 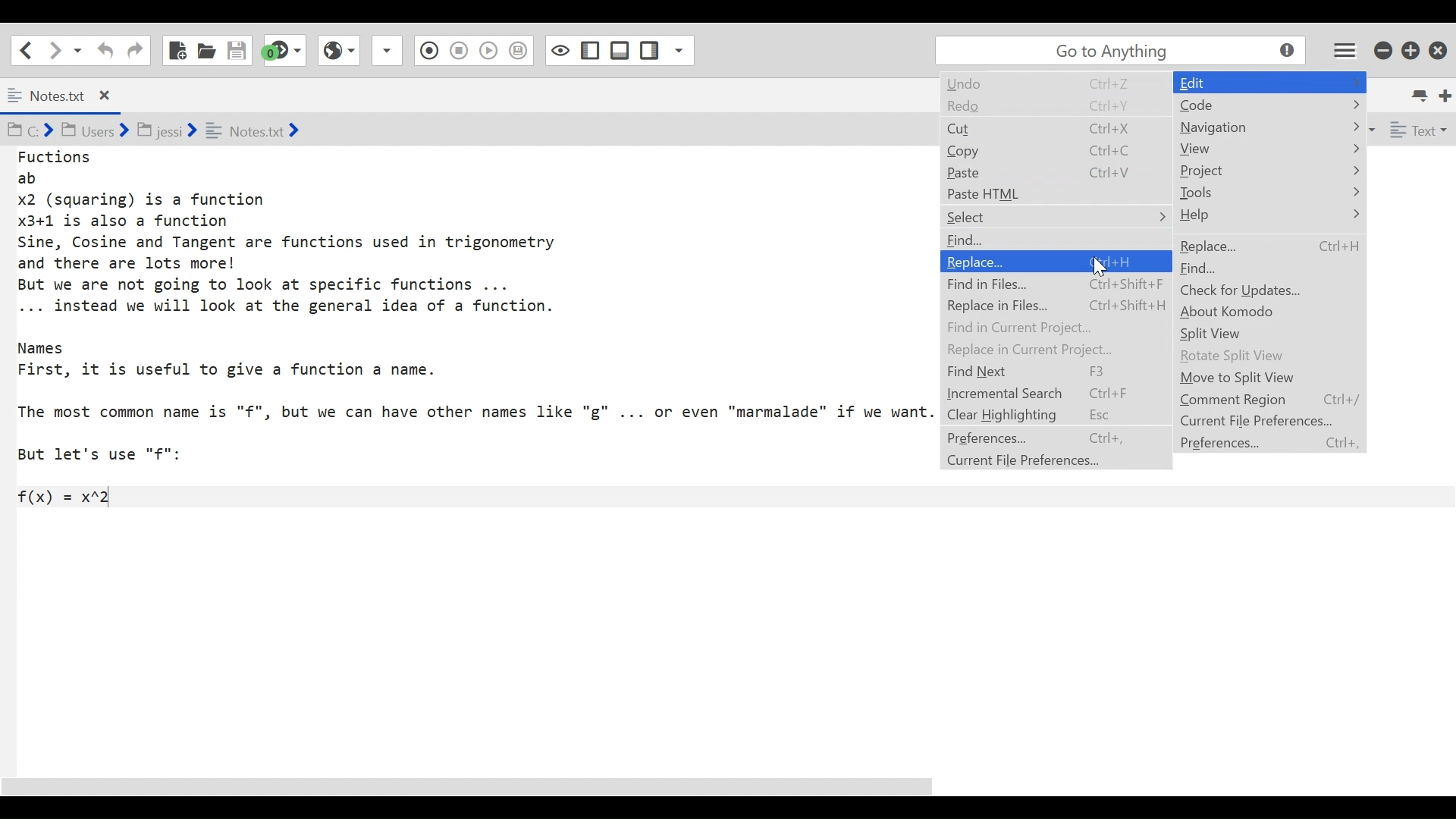 What do you see at coordinates (620, 50) in the screenshot?
I see `Show/Hide Left Pane` at bounding box center [620, 50].